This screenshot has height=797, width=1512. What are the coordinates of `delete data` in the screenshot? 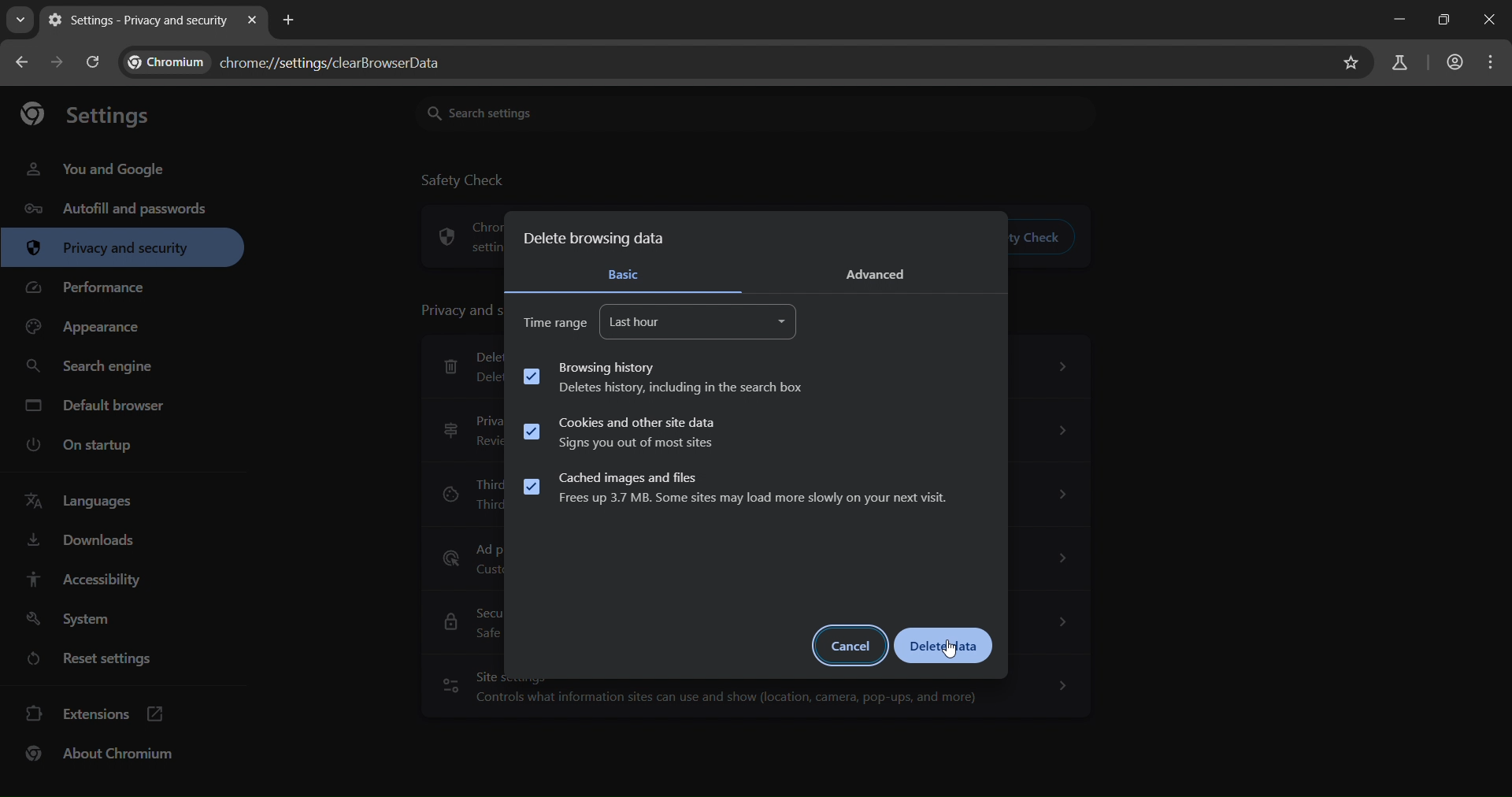 It's located at (943, 646).